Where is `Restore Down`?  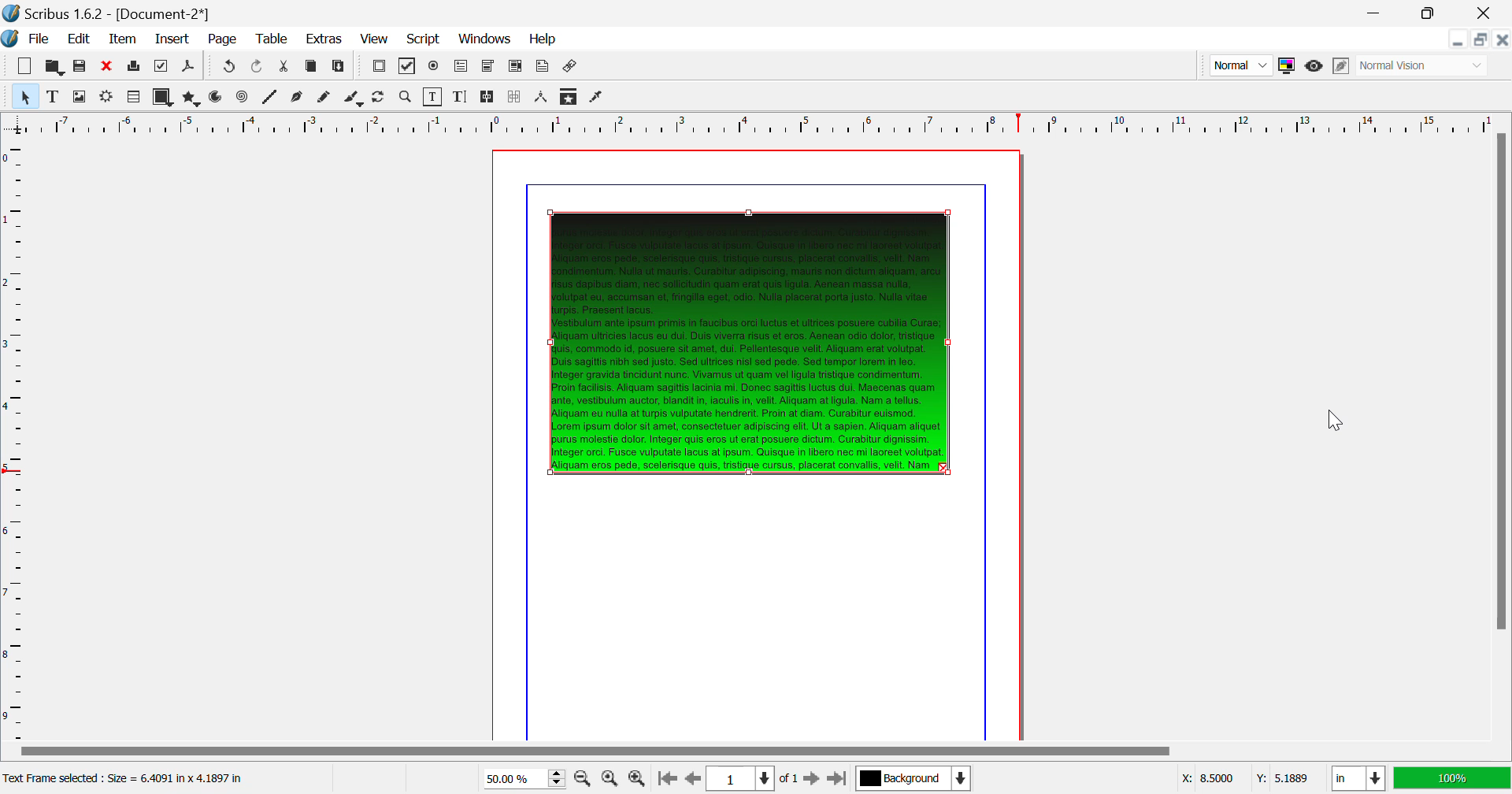 Restore Down is located at coordinates (1378, 13).